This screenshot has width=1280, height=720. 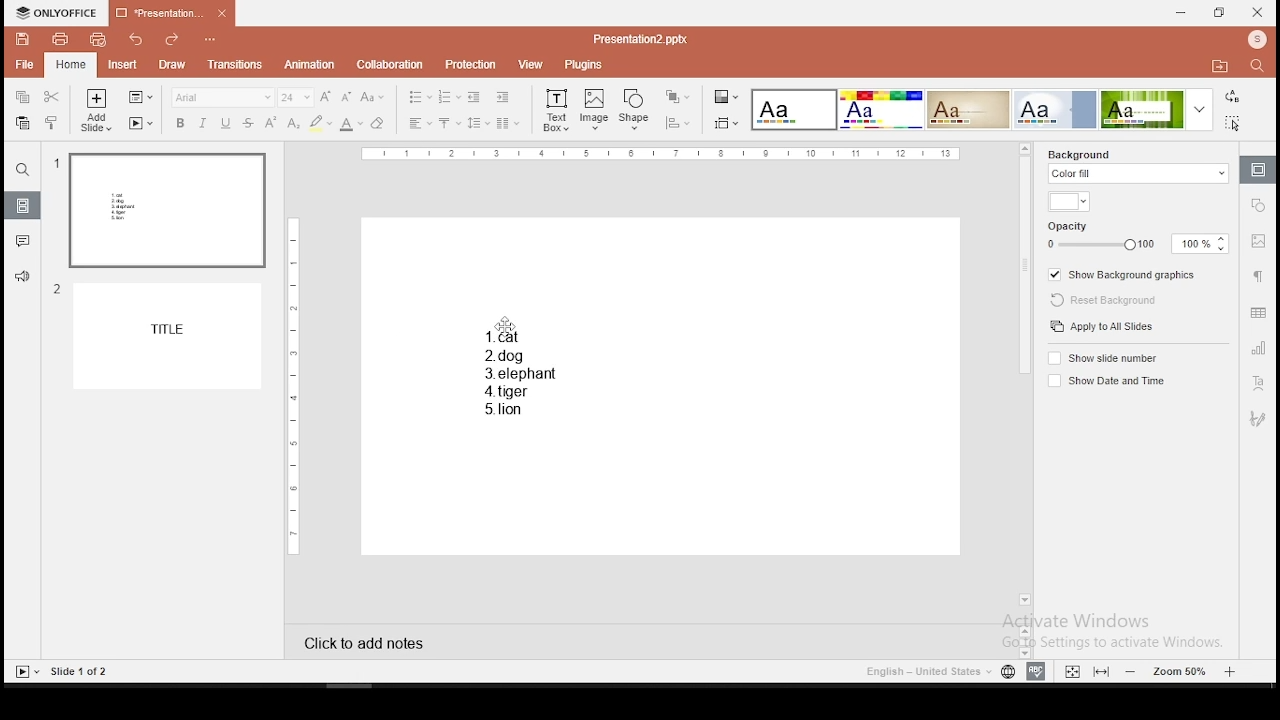 What do you see at coordinates (248, 123) in the screenshot?
I see `strikethrough` at bounding box center [248, 123].